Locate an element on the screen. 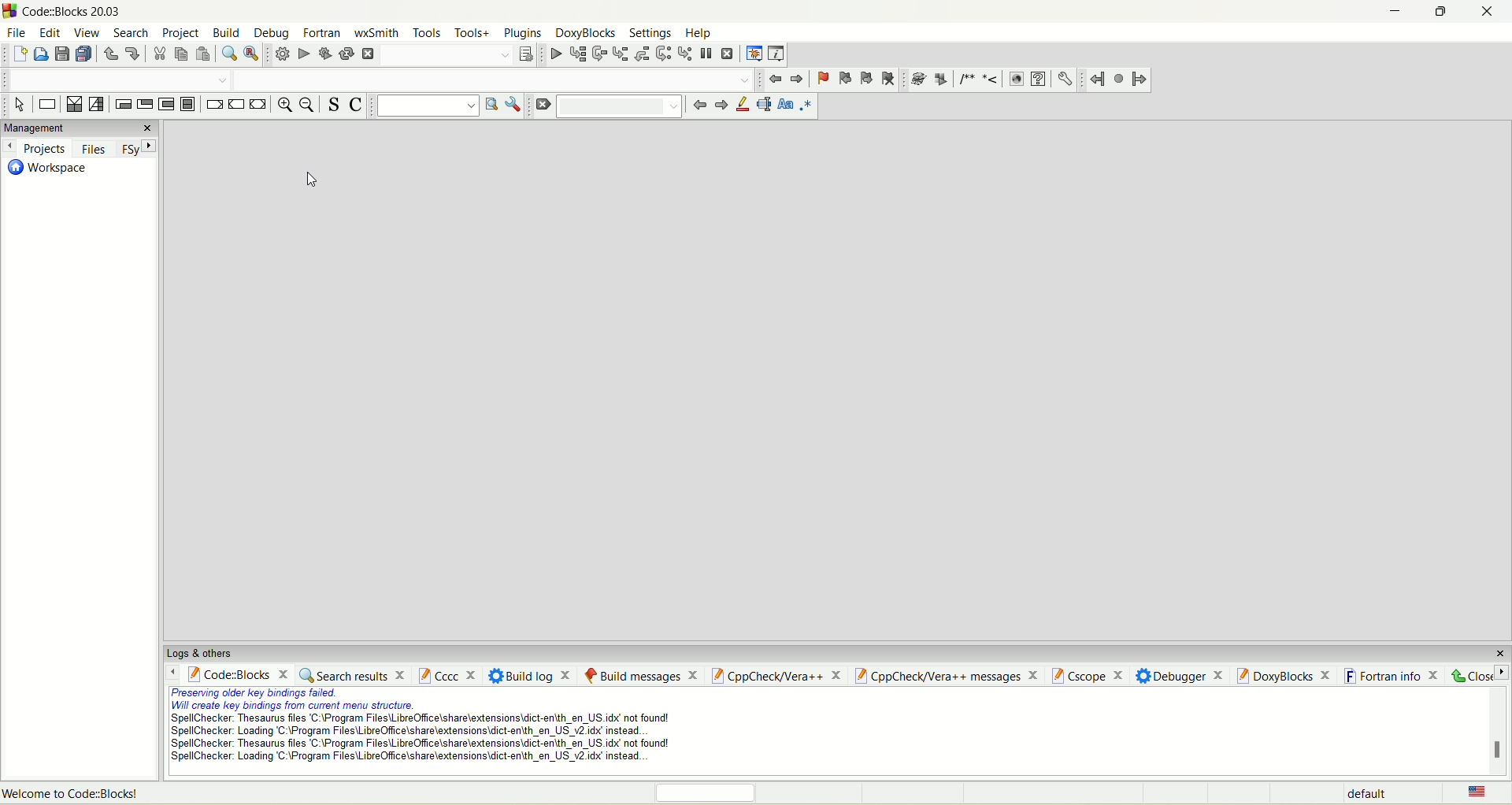  Extract is located at coordinates (939, 80).